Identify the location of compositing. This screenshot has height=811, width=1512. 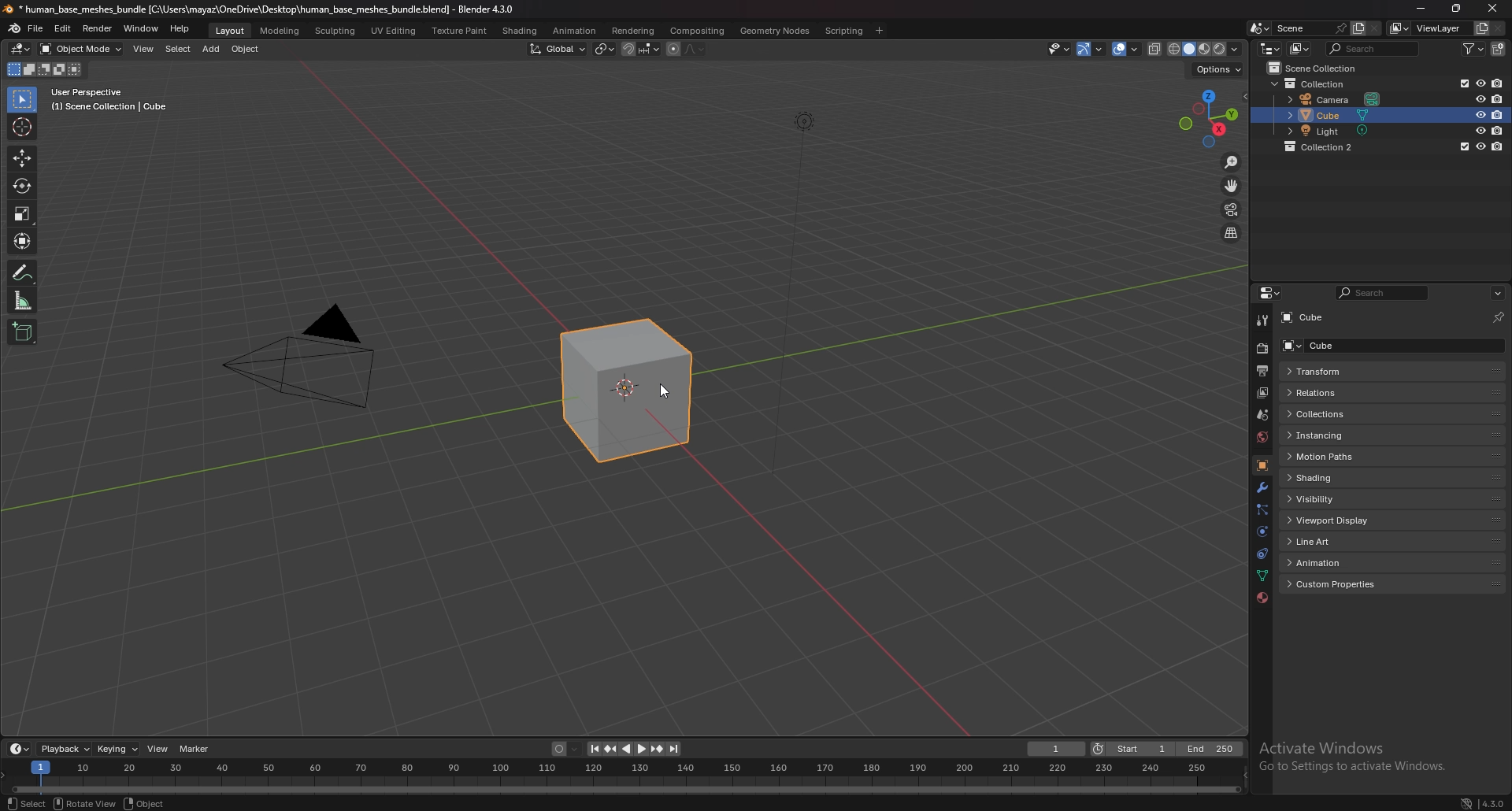
(697, 31).